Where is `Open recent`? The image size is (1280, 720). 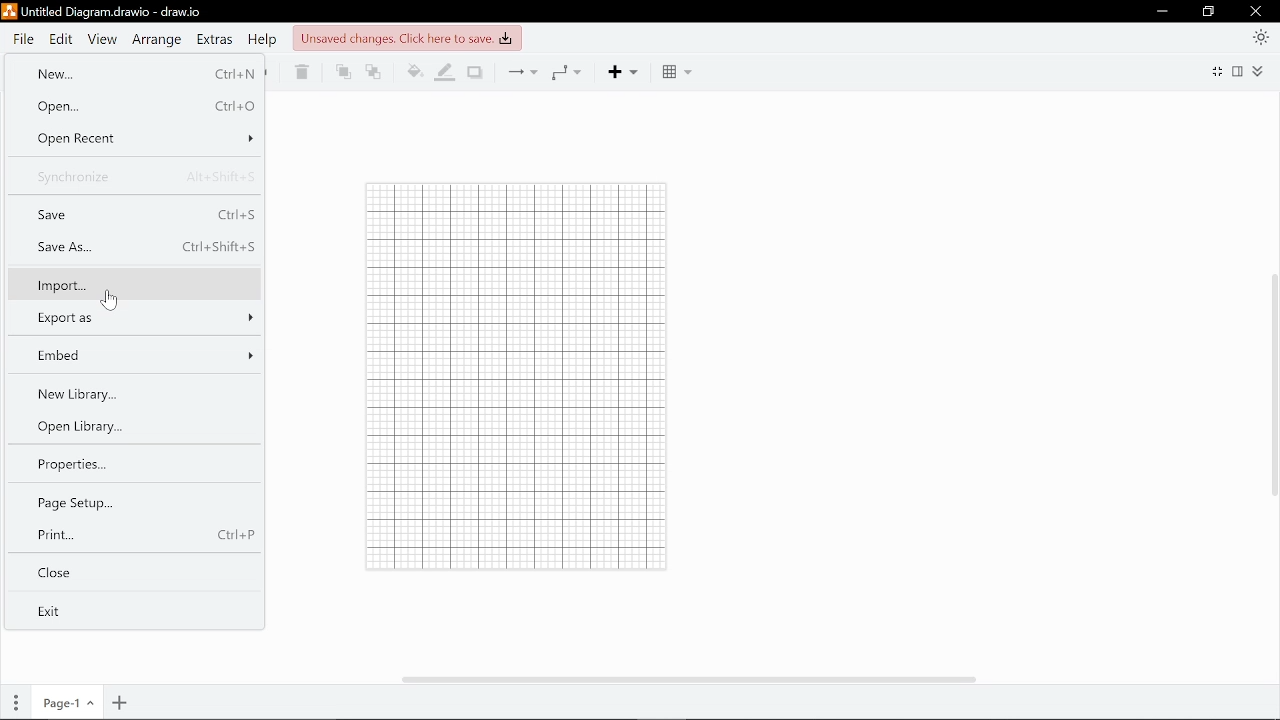
Open recent is located at coordinates (138, 137).